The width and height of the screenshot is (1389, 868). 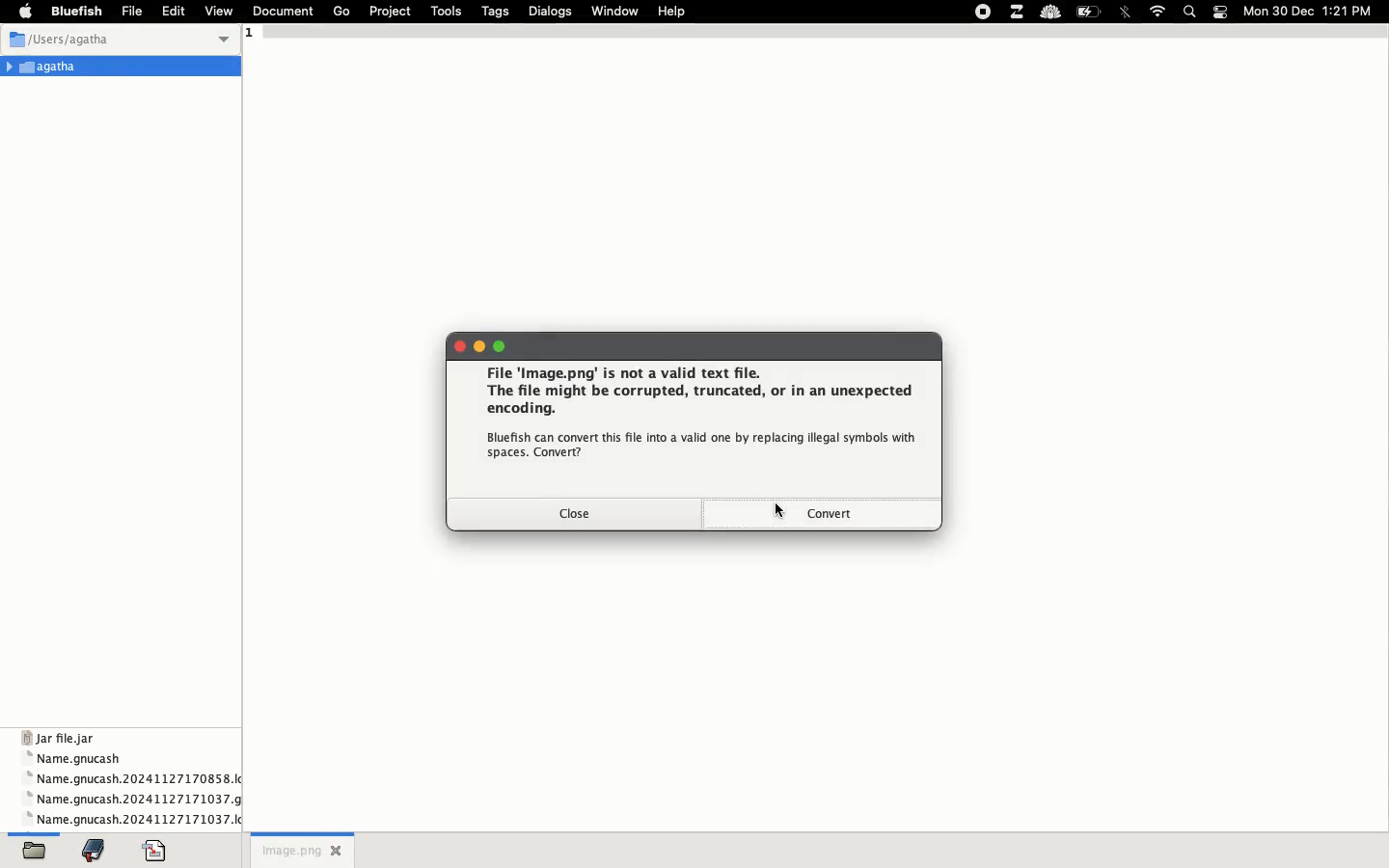 I want to click on bookmark, so click(x=93, y=848).